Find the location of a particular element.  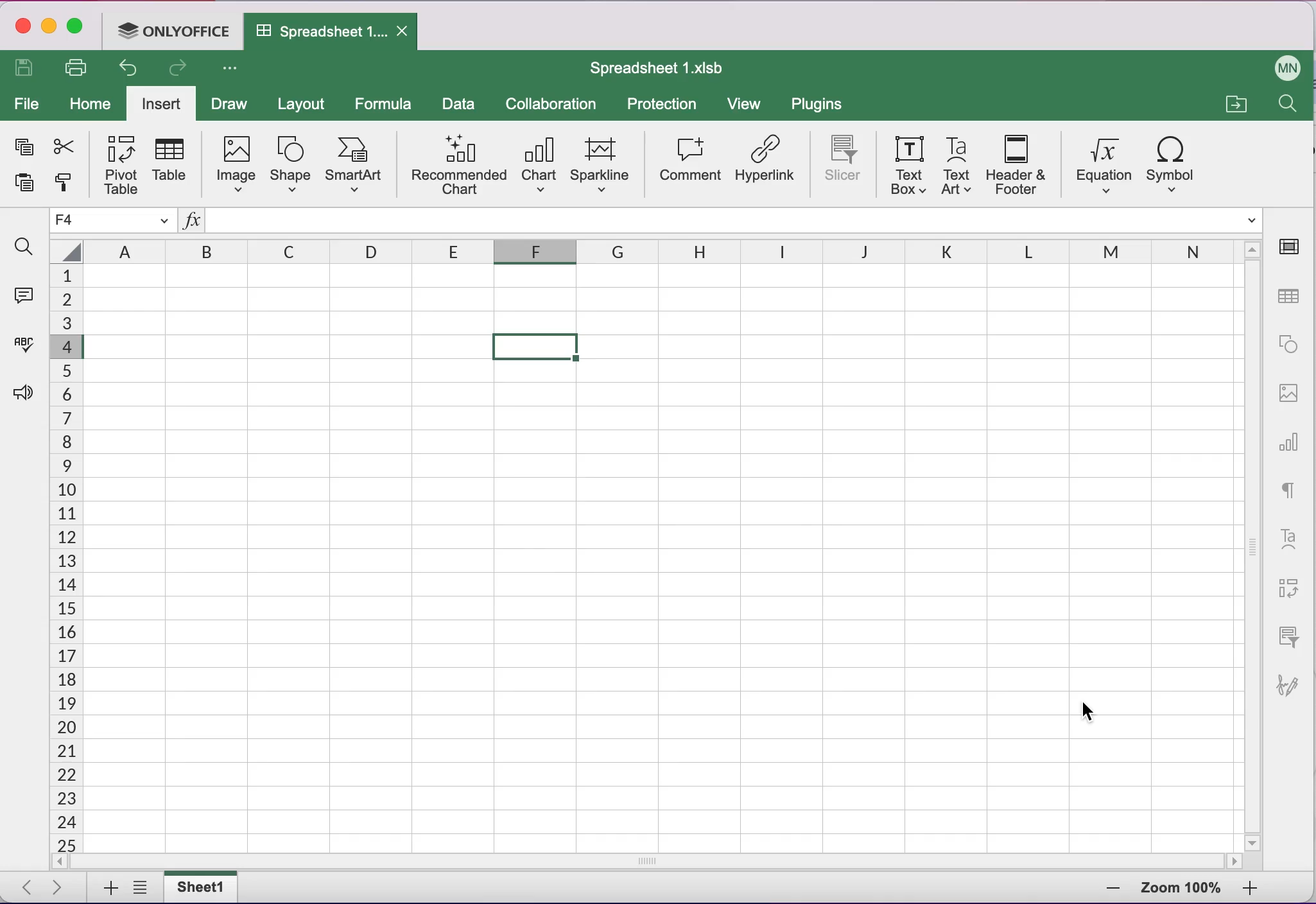

smart art is located at coordinates (354, 166).